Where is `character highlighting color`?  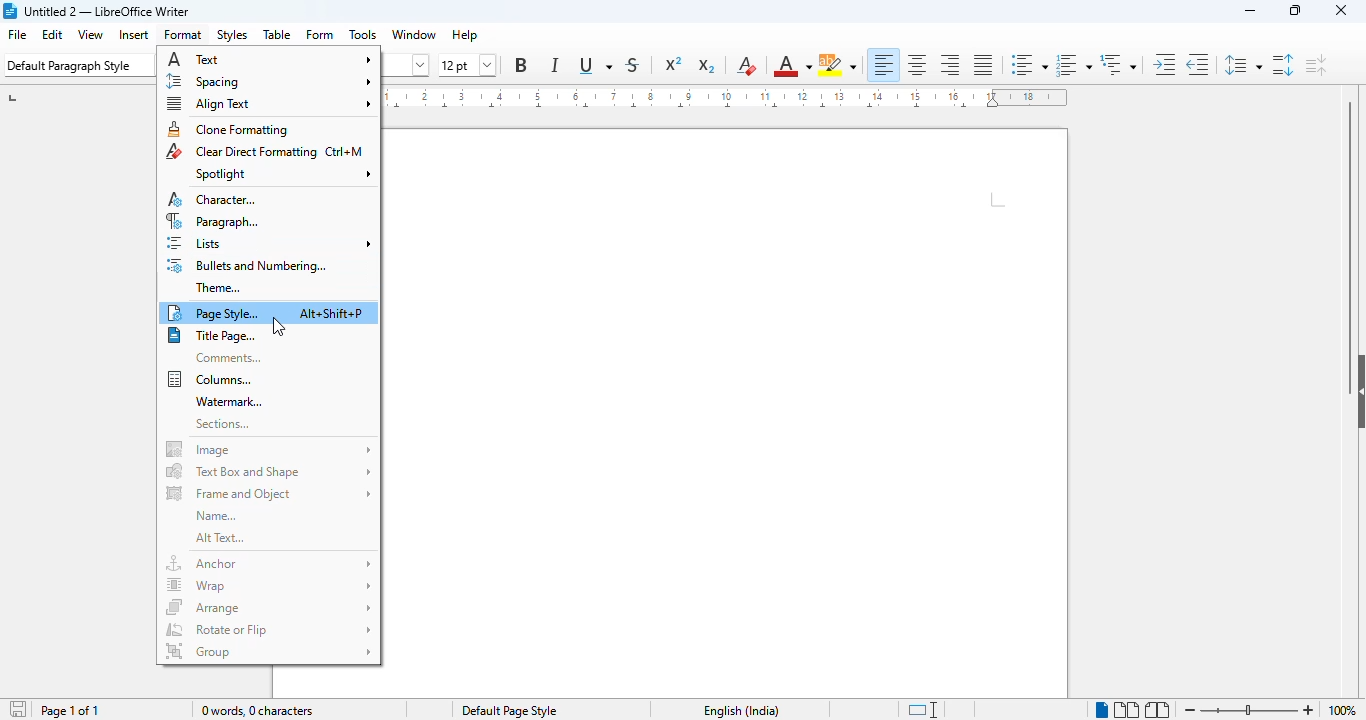 character highlighting color is located at coordinates (838, 66).